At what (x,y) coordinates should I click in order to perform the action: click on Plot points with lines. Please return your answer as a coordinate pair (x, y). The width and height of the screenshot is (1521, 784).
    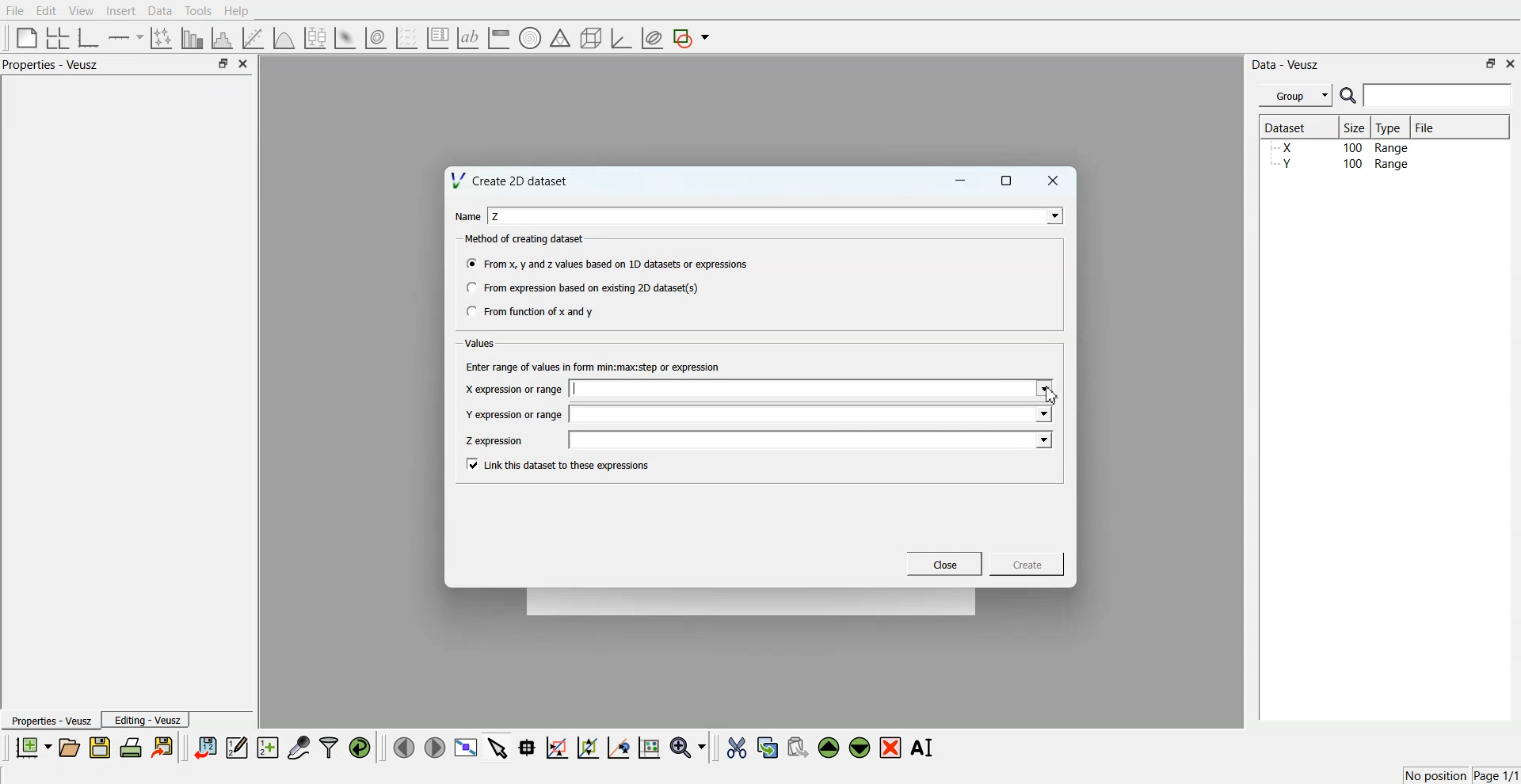
    Looking at the image, I should click on (162, 38).